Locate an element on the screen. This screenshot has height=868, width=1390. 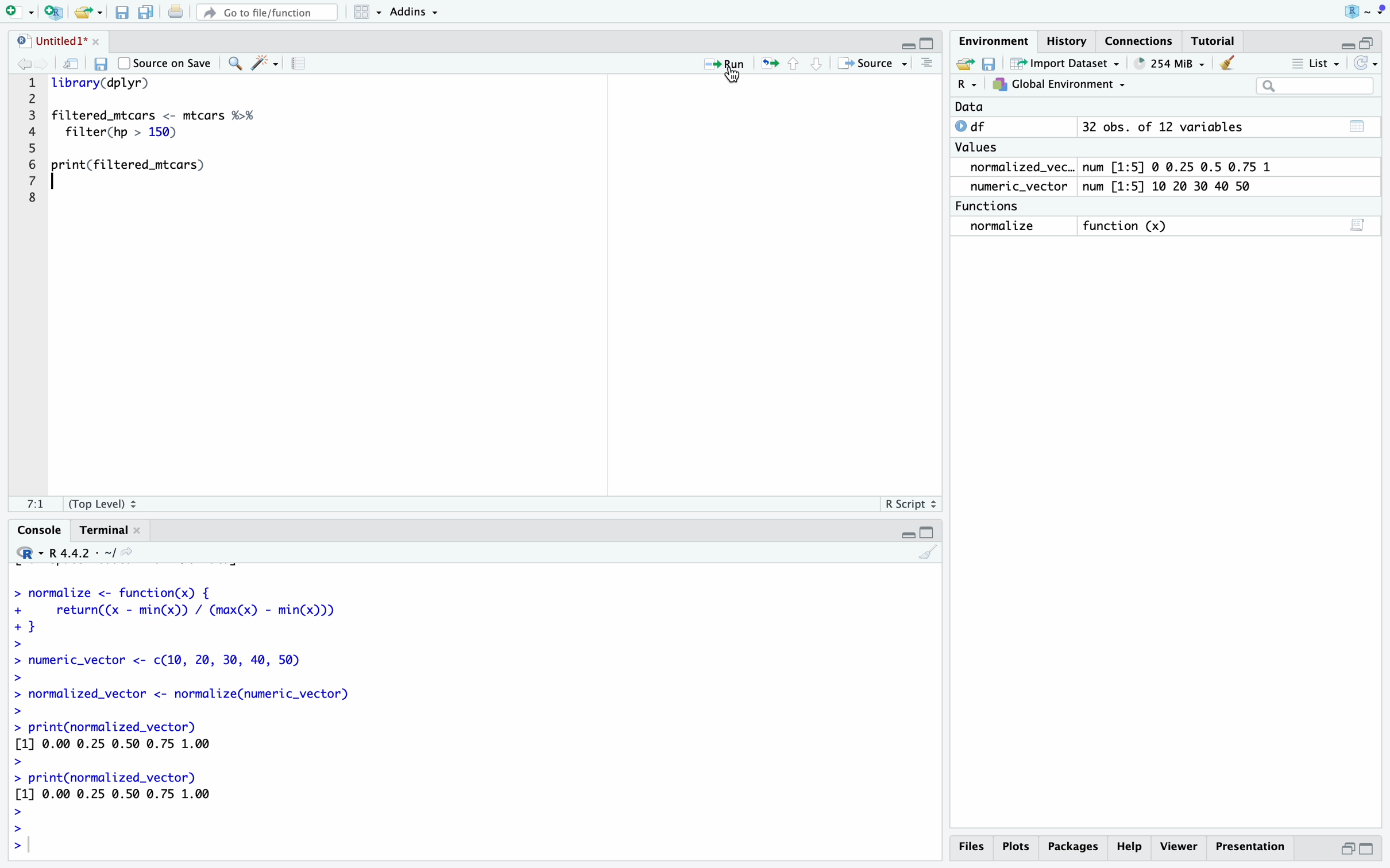
Source on save is located at coordinates (165, 63).